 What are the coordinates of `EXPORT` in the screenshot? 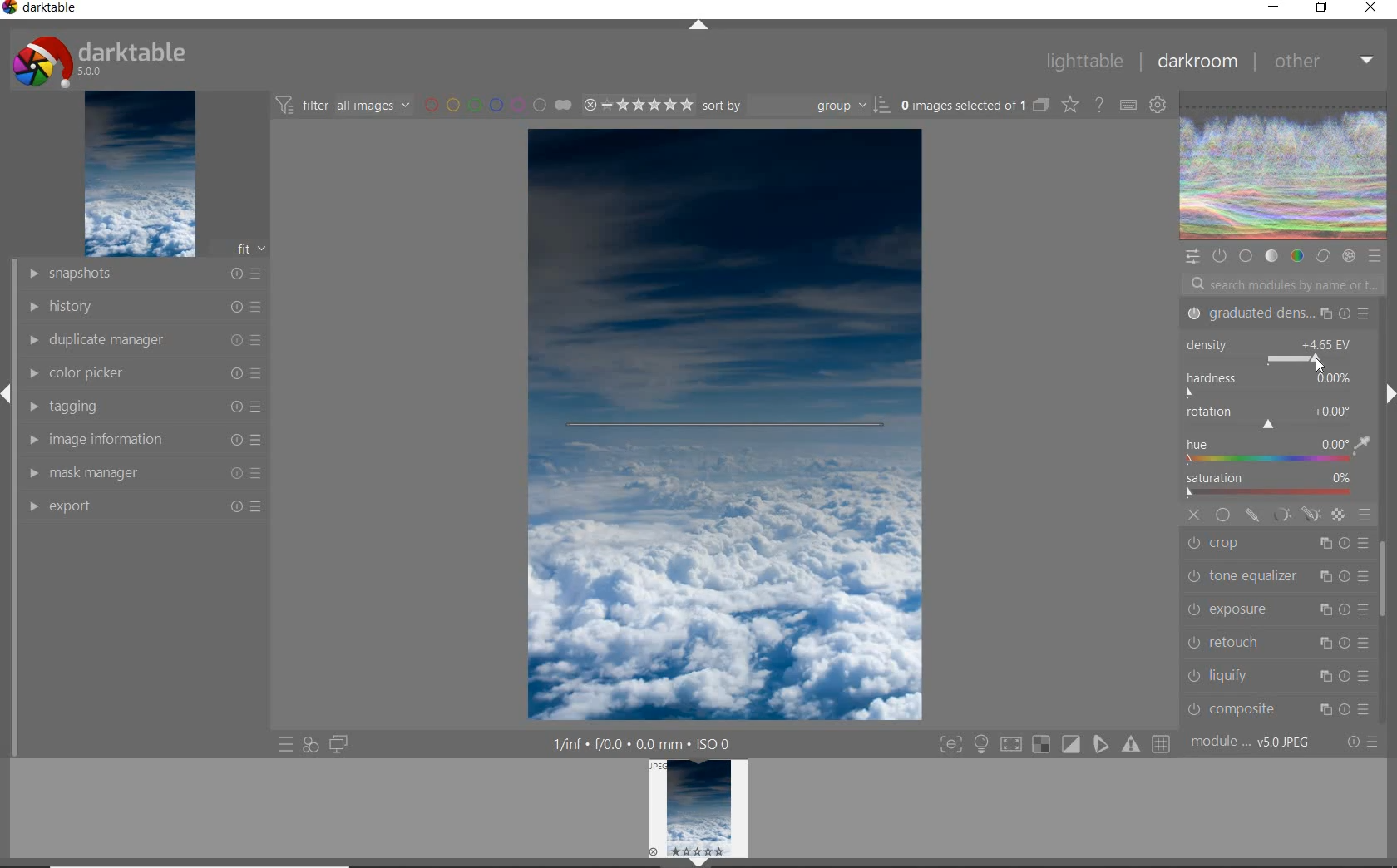 It's located at (143, 506).